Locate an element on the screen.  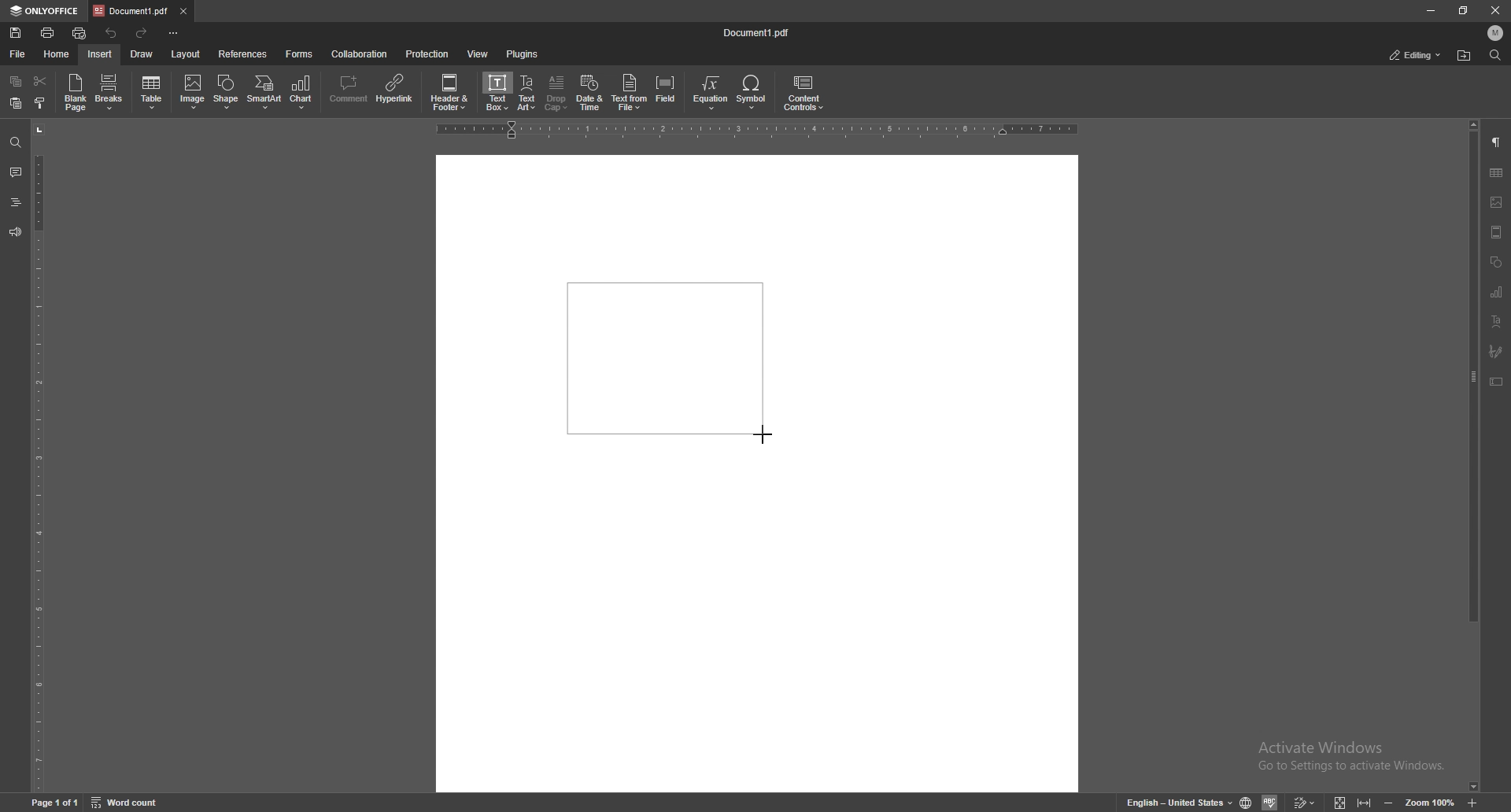
cursor is located at coordinates (769, 437).